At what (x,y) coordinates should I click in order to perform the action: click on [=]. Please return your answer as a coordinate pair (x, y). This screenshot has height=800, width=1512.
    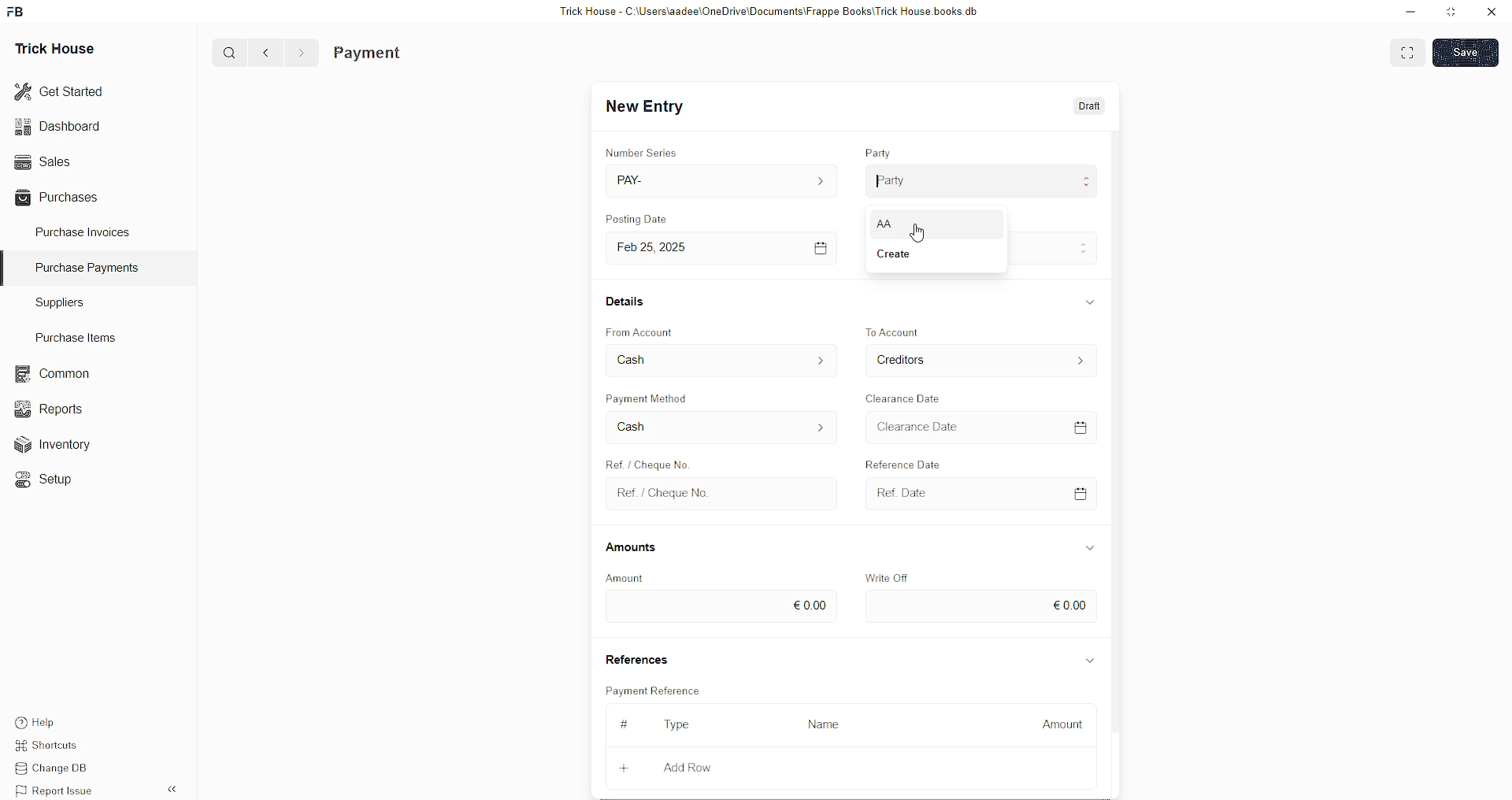
    Looking at the image, I should click on (821, 247).